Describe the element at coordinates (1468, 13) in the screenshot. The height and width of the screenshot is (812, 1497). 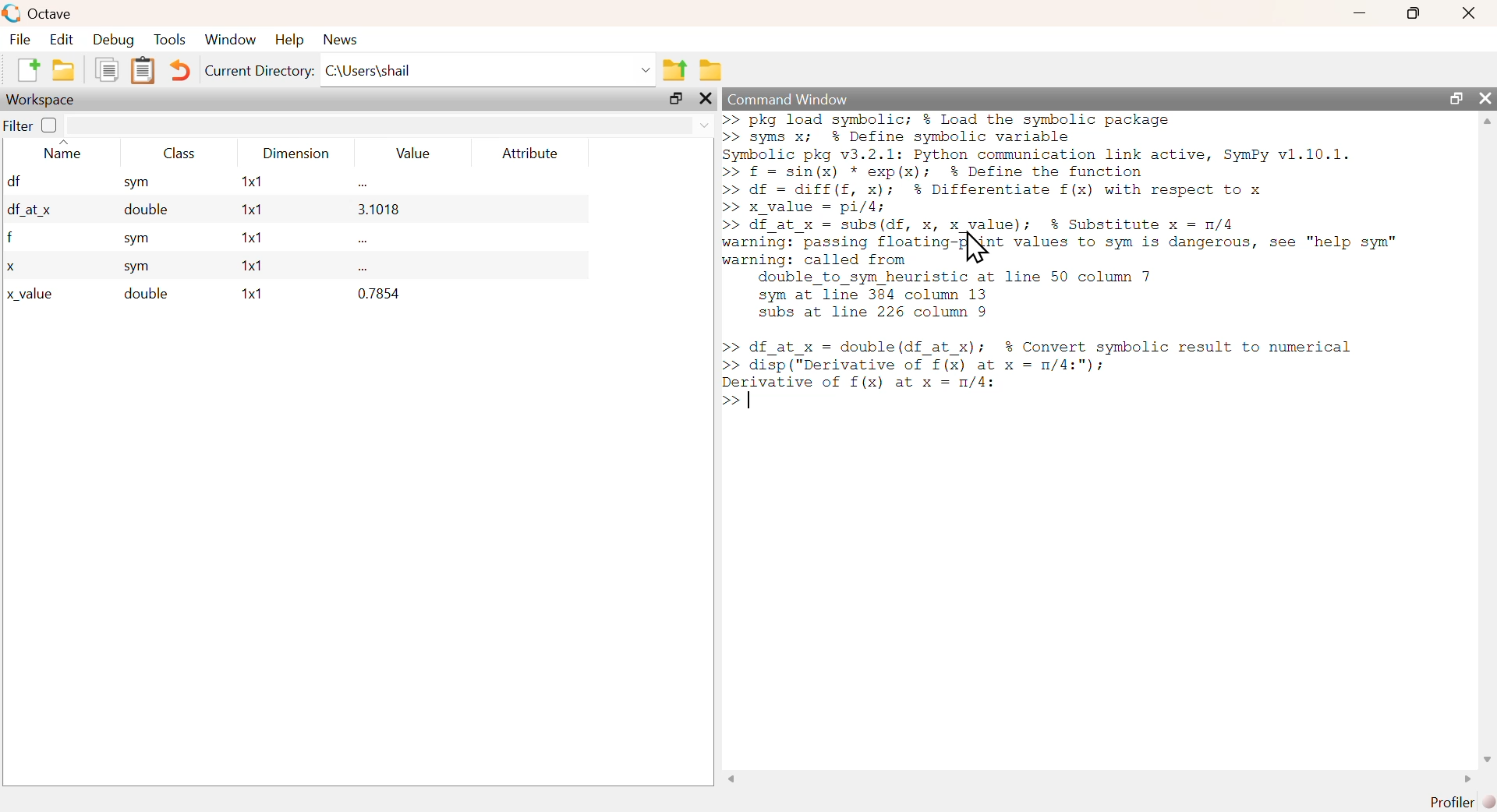
I see `Close` at that location.